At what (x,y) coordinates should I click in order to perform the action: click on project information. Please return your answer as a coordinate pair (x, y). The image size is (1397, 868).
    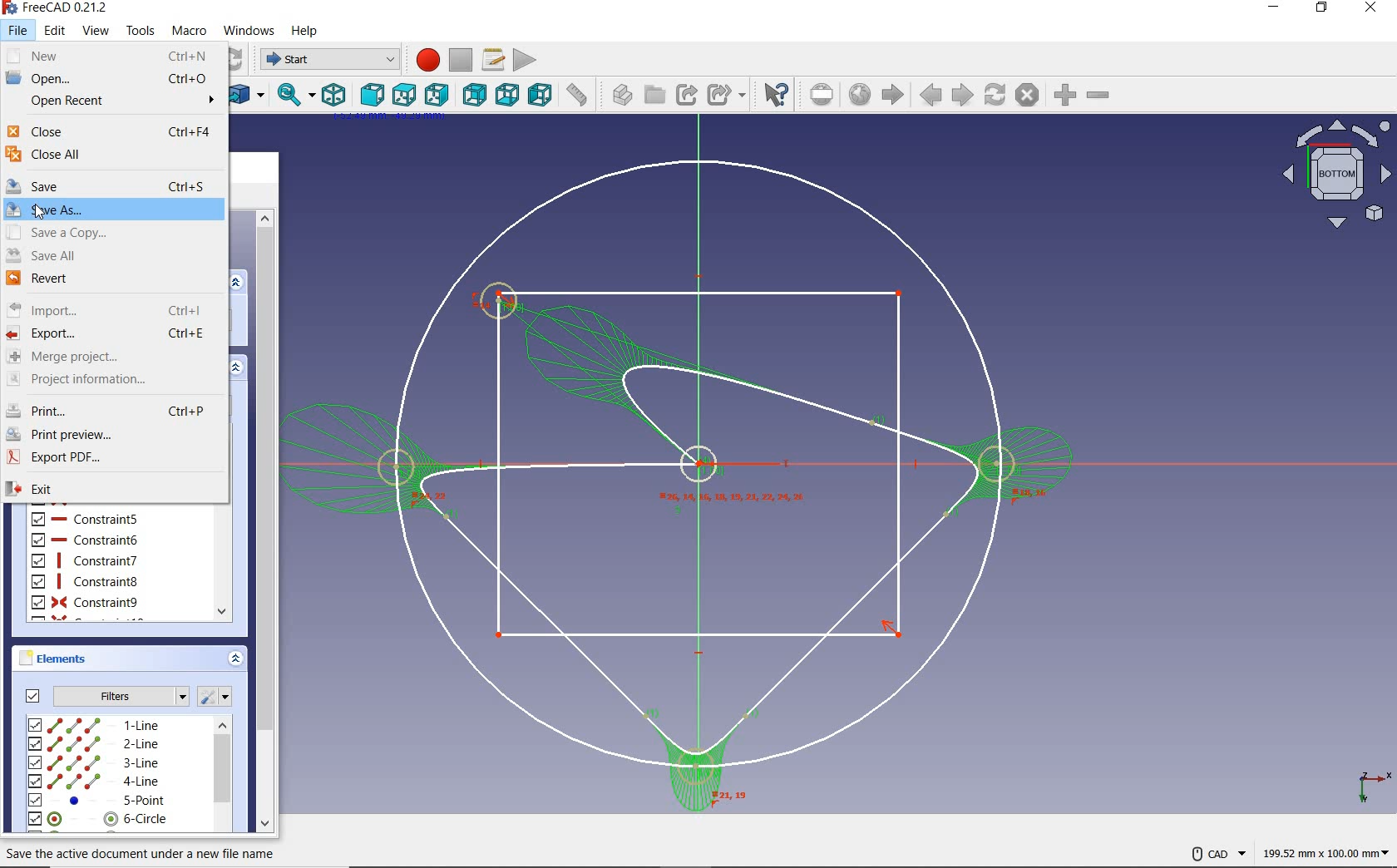
    Looking at the image, I should click on (107, 379).